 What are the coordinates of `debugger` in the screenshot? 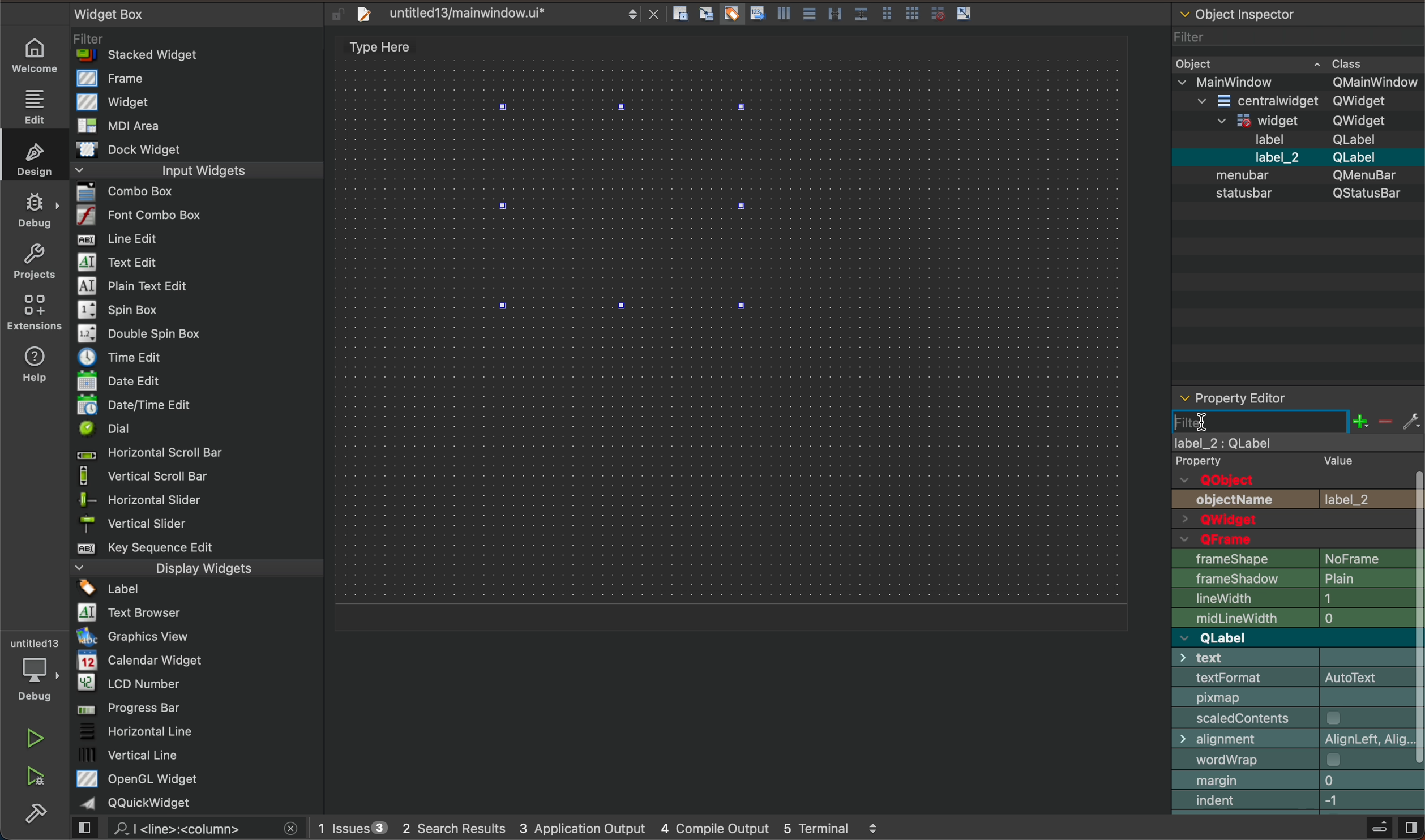 It's located at (33, 668).